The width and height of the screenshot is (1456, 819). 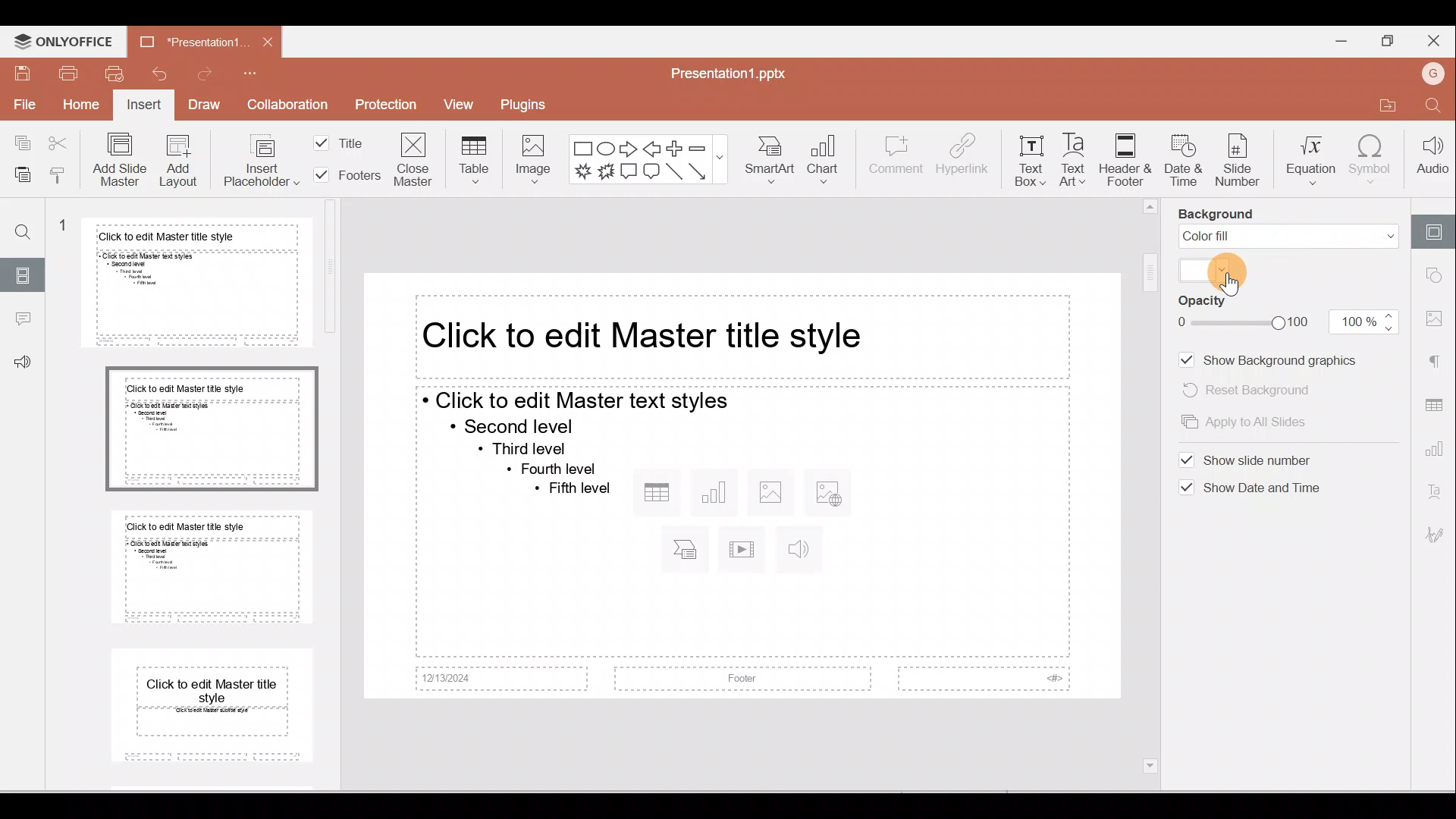 What do you see at coordinates (344, 175) in the screenshot?
I see `Footers` at bounding box center [344, 175].